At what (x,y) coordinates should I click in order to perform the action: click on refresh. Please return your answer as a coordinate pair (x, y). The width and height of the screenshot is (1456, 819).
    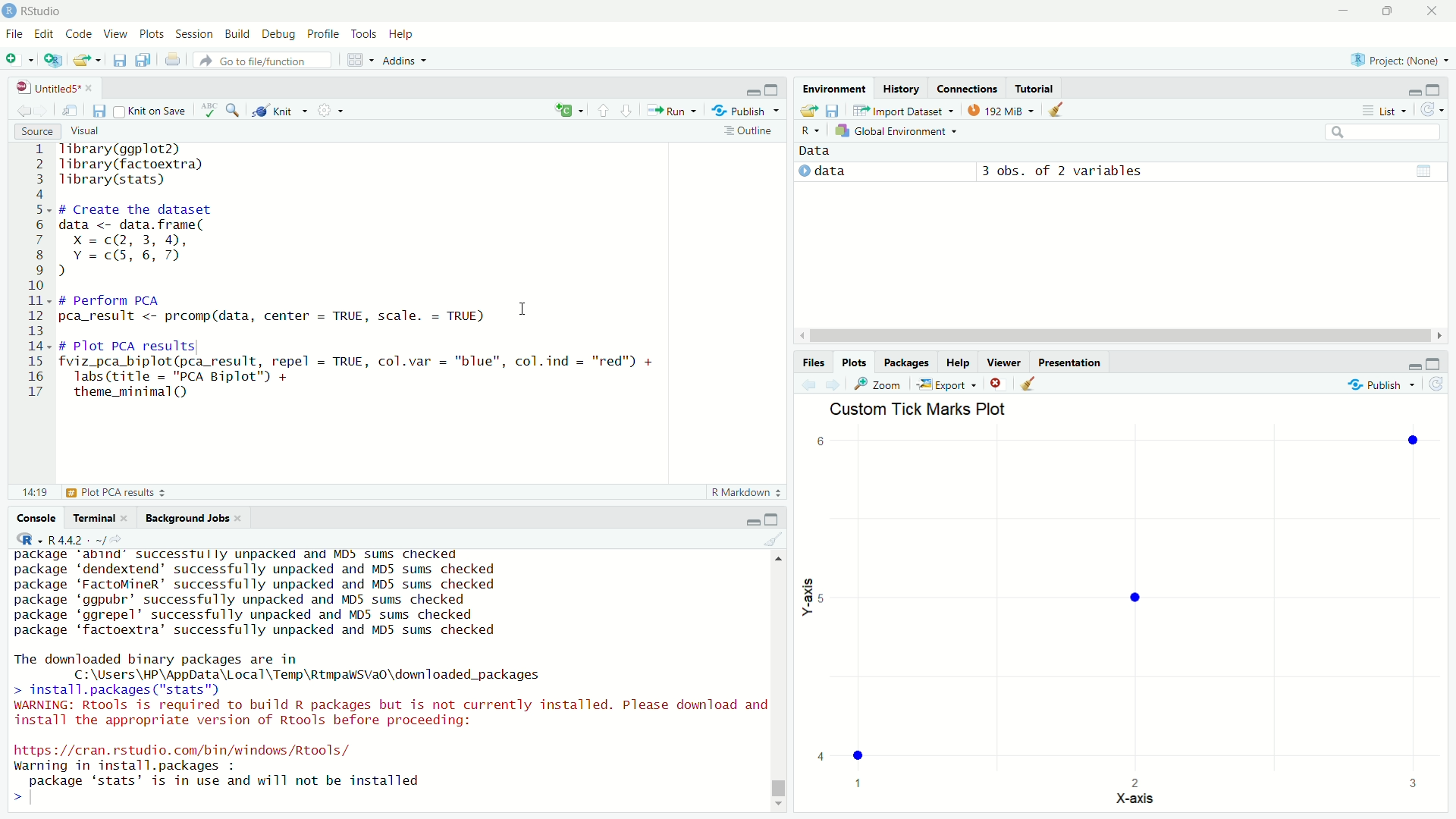
    Looking at the image, I should click on (1430, 110).